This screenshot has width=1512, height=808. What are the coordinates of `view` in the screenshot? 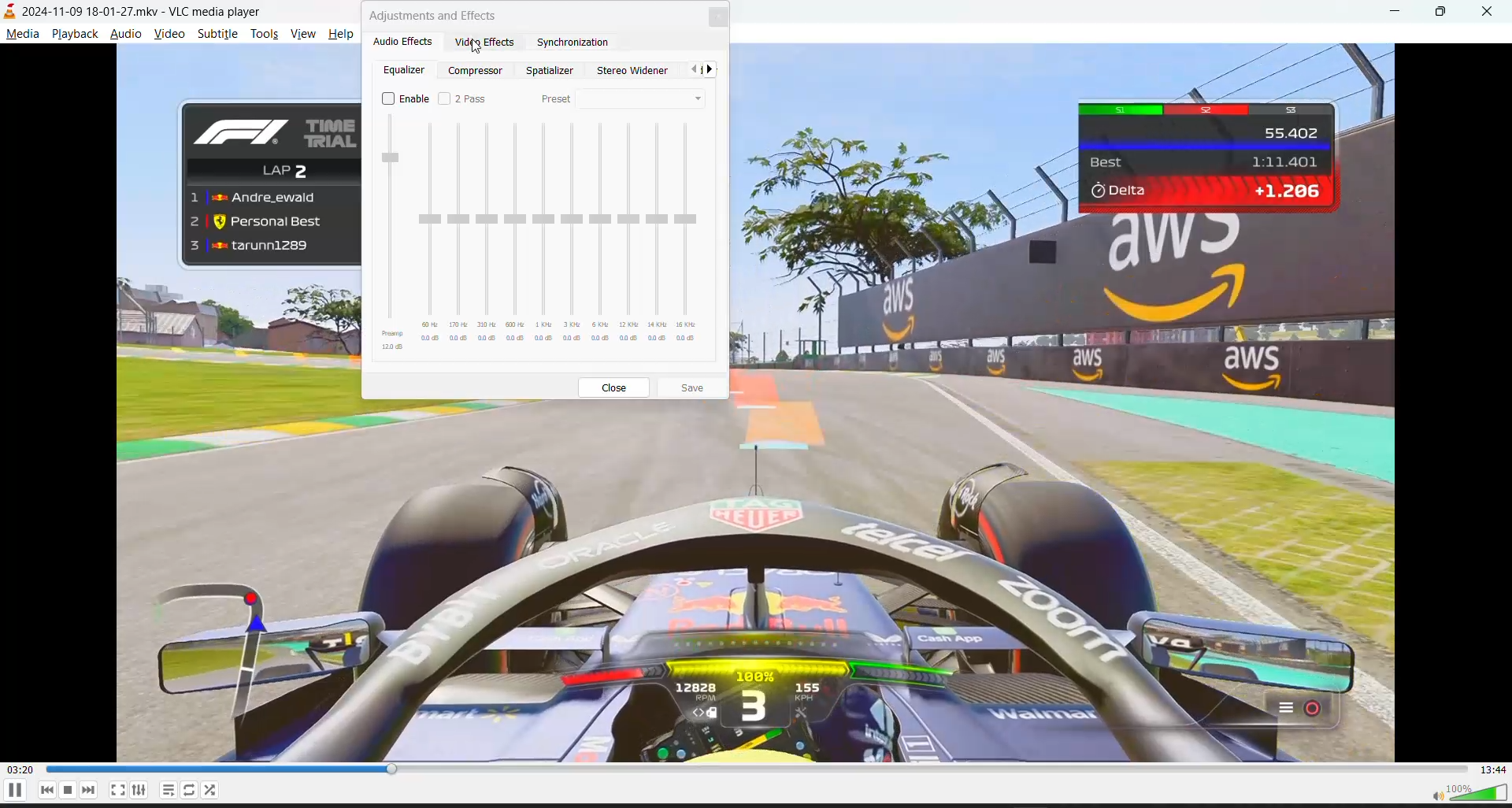 It's located at (303, 32).